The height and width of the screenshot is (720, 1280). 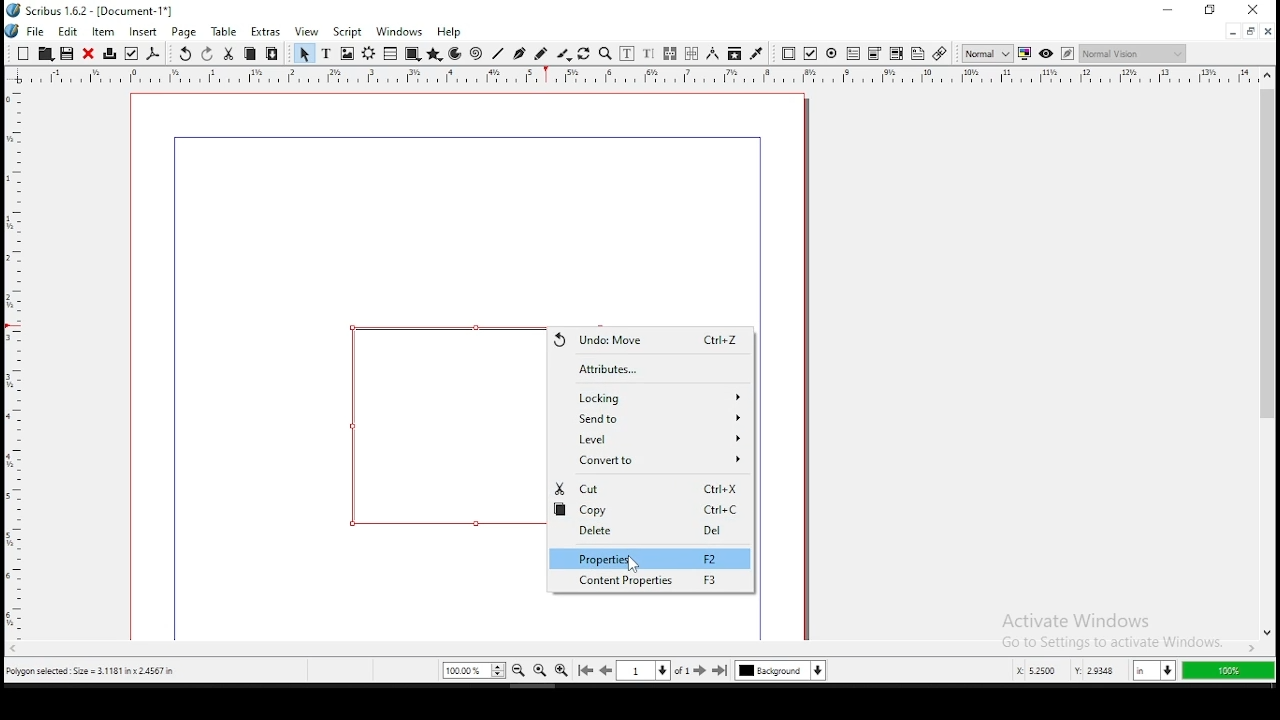 What do you see at coordinates (682, 671) in the screenshot?
I see `of 1` at bounding box center [682, 671].